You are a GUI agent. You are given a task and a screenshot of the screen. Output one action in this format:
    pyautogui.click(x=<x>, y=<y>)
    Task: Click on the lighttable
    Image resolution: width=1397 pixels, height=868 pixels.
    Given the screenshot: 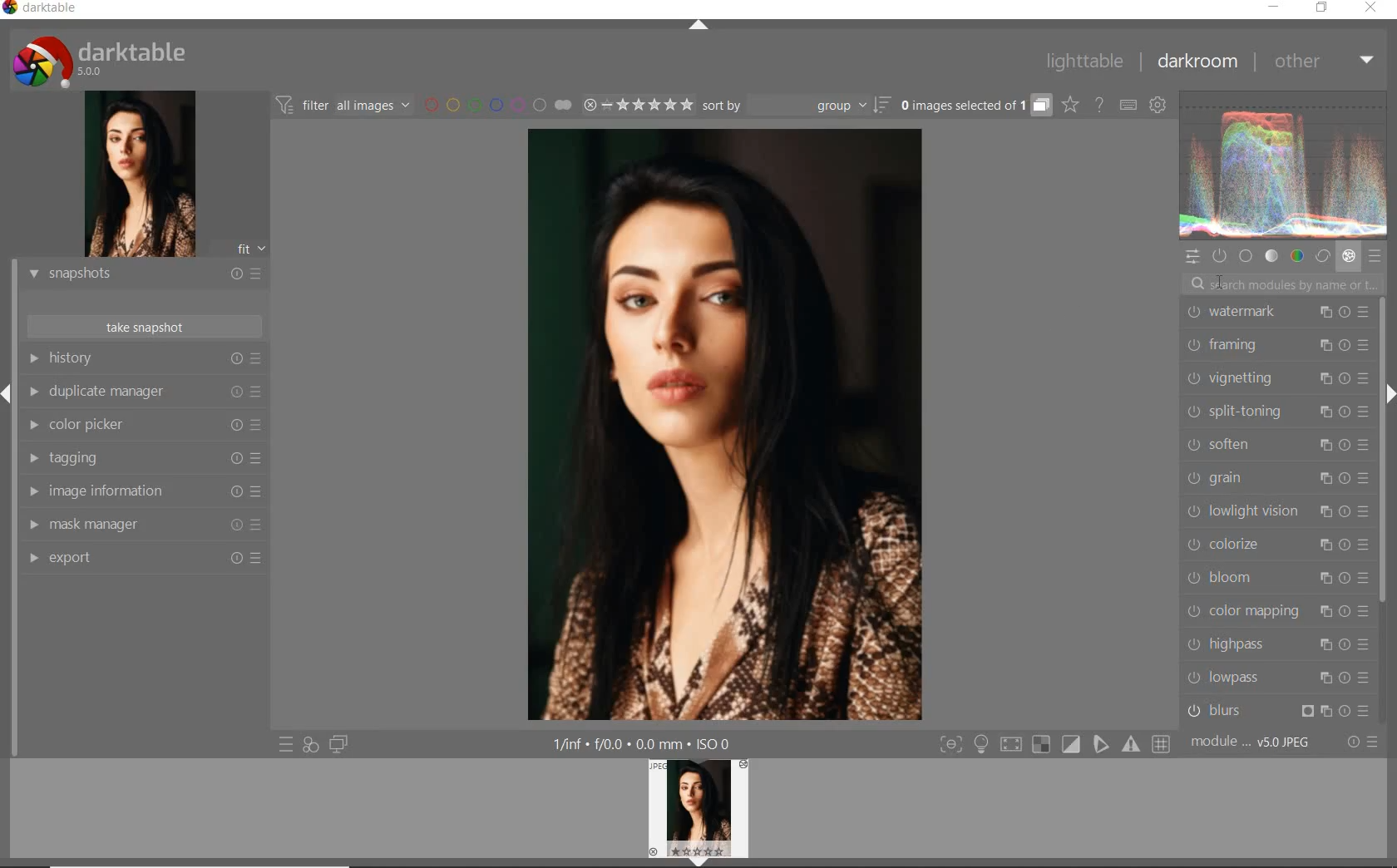 What is the action you would take?
    pyautogui.click(x=1084, y=62)
    